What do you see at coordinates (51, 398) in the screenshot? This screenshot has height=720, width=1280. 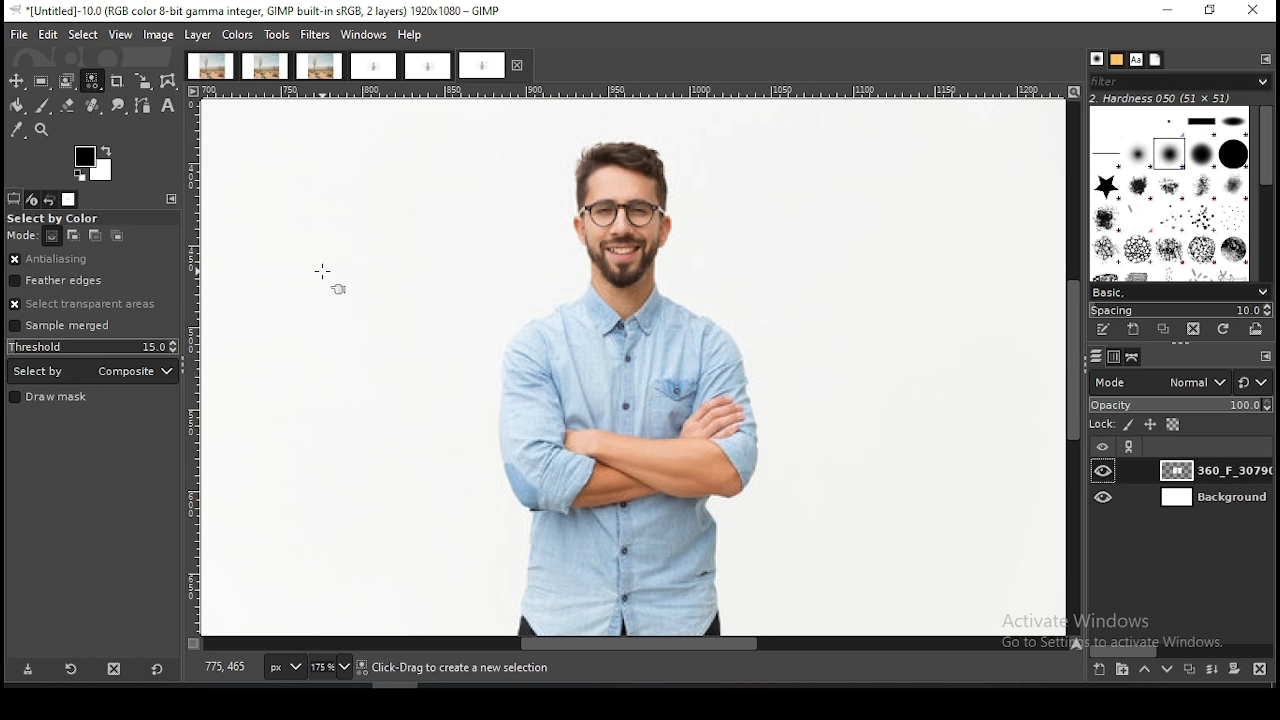 I see `draw mask` at bounding box center [51, 398].